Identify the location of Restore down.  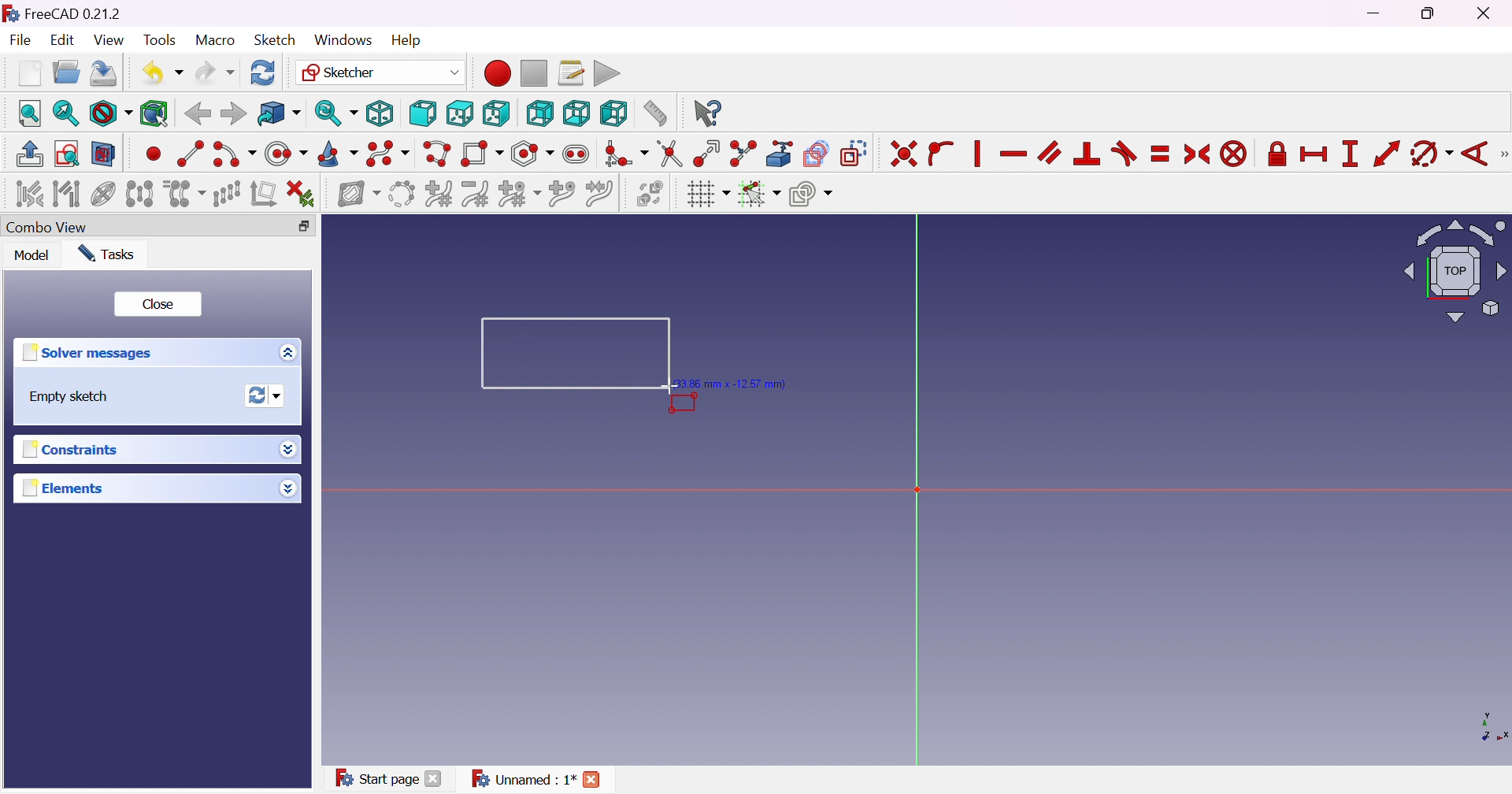
(304, 227).